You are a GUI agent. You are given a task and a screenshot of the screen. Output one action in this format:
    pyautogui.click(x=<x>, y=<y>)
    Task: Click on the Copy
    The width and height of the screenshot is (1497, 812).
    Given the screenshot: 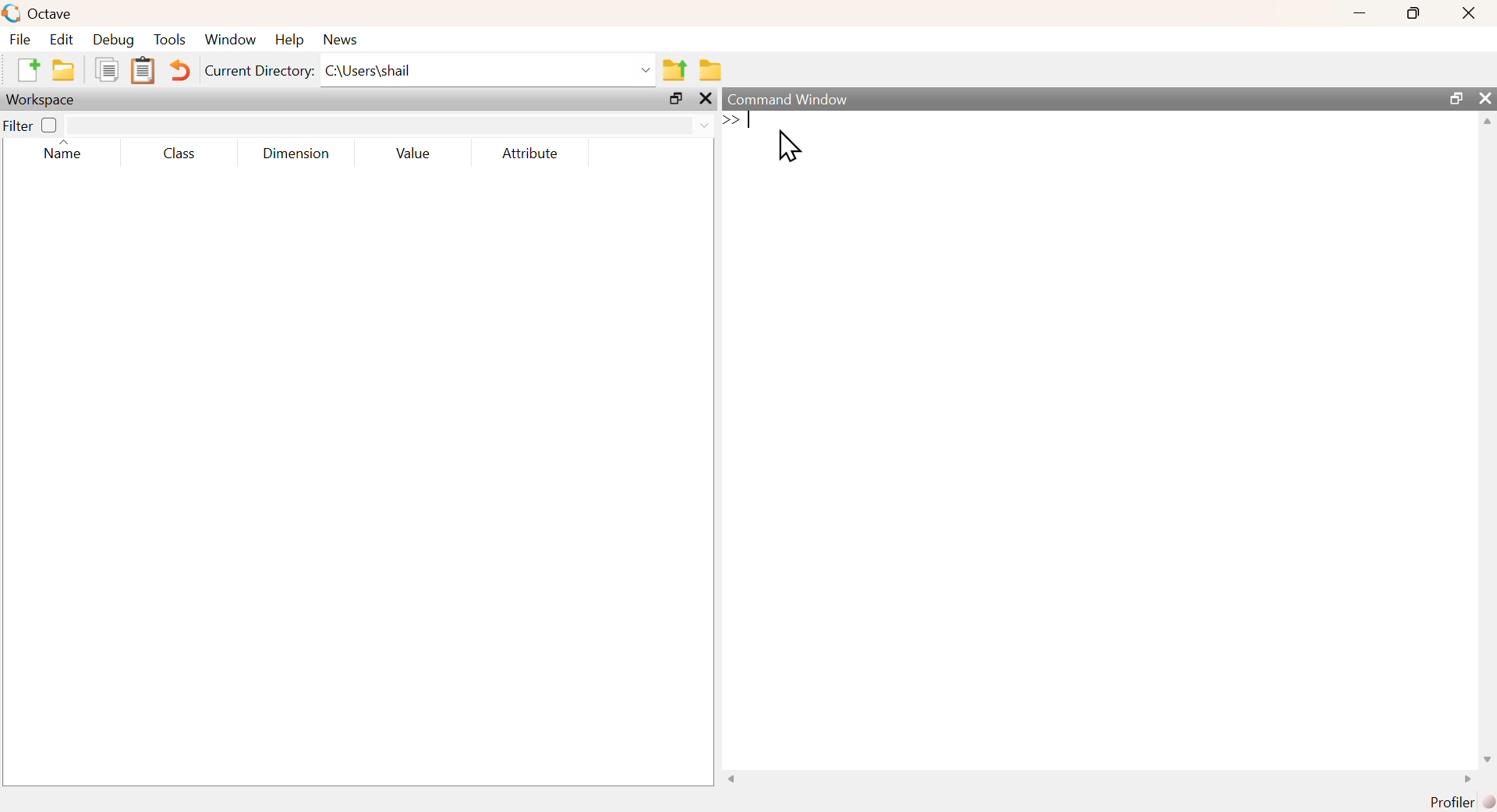 What is the action you would take?
    pyautogui.click(x=108, y=70)
    